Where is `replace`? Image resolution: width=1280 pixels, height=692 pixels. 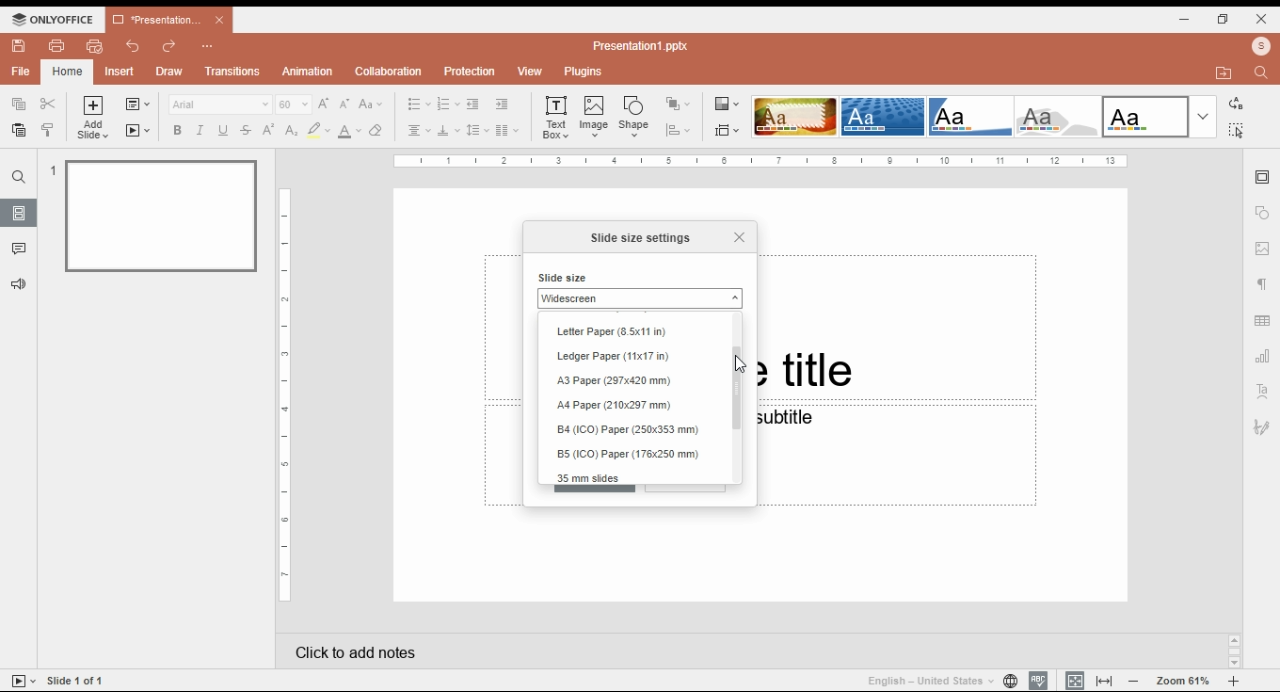 replace is located at coordinates (1234, 104).